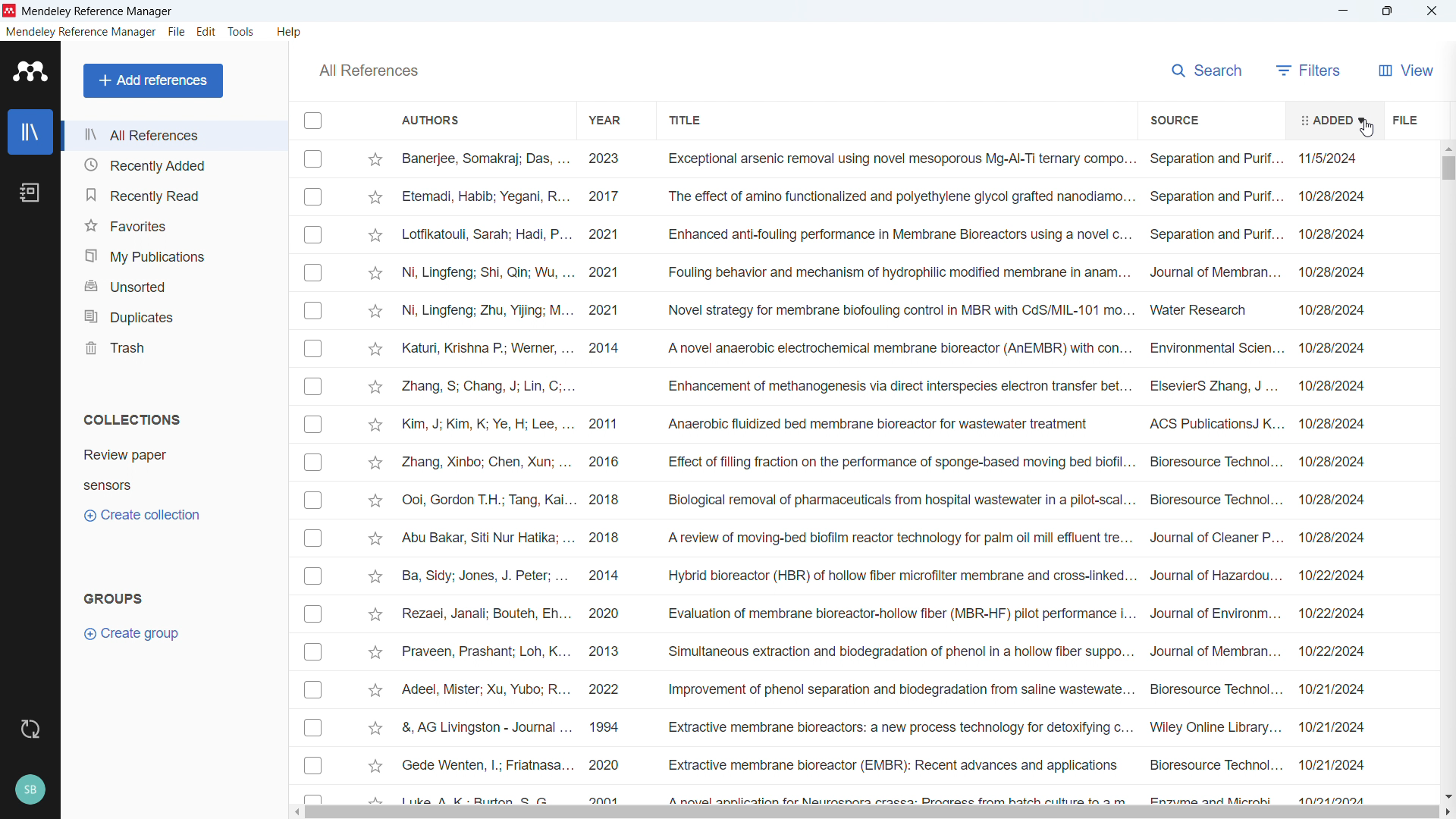 This screenshot has height=819, width=1456. I want to click on Title of individual entries , so click(898, 475).